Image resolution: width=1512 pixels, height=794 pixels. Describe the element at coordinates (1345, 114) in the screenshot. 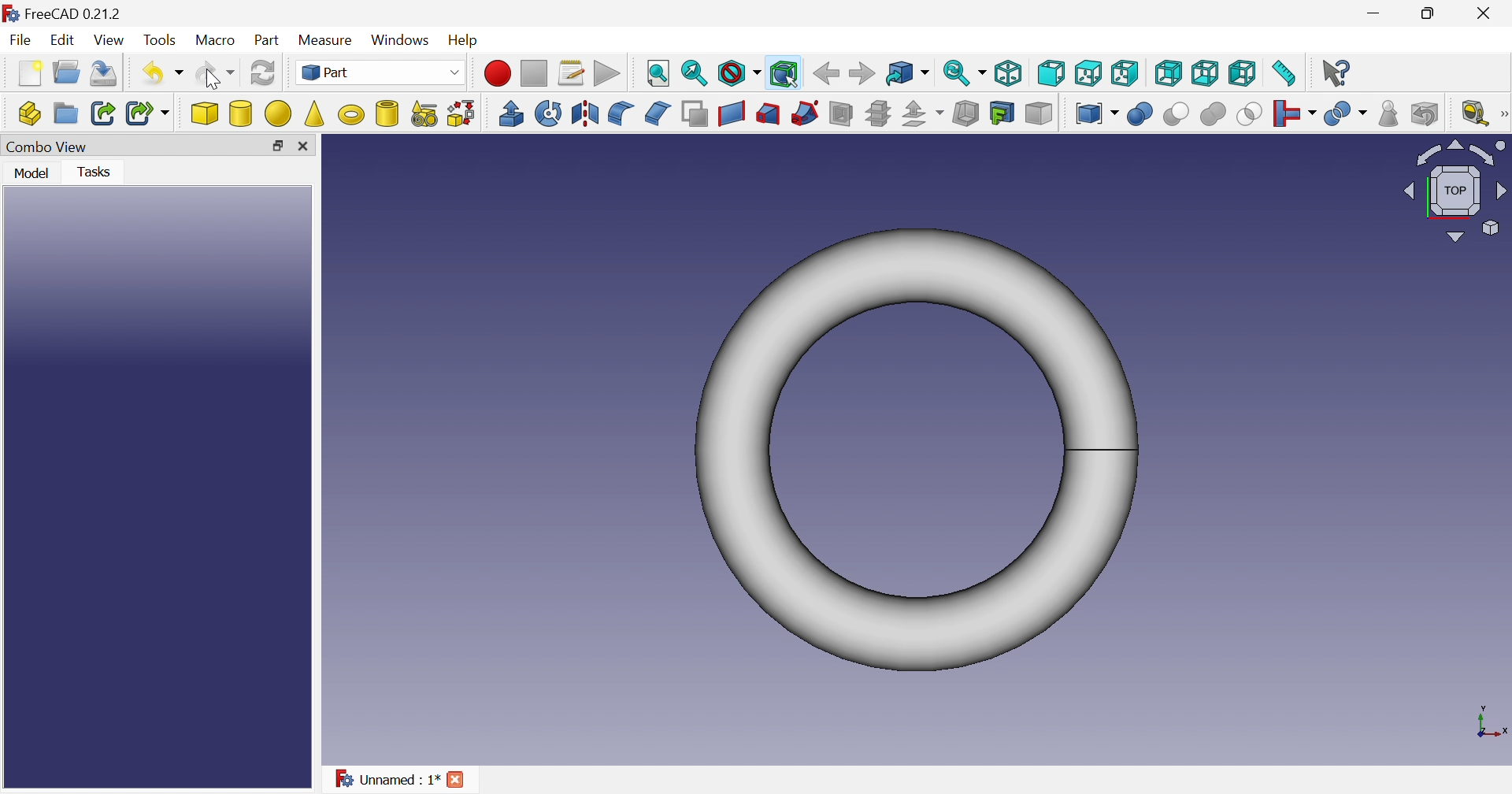

I see `Split objects` at that location.